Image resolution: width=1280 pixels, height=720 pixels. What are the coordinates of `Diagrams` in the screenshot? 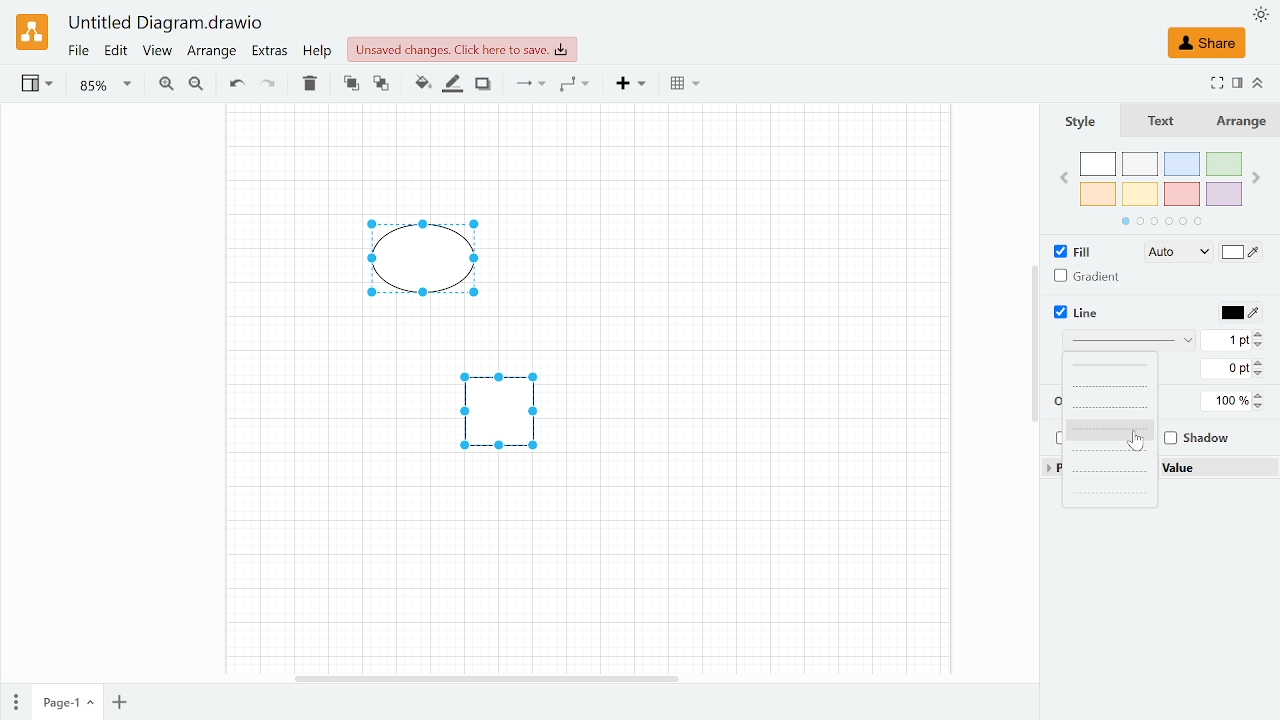 It's located at (457, 354).